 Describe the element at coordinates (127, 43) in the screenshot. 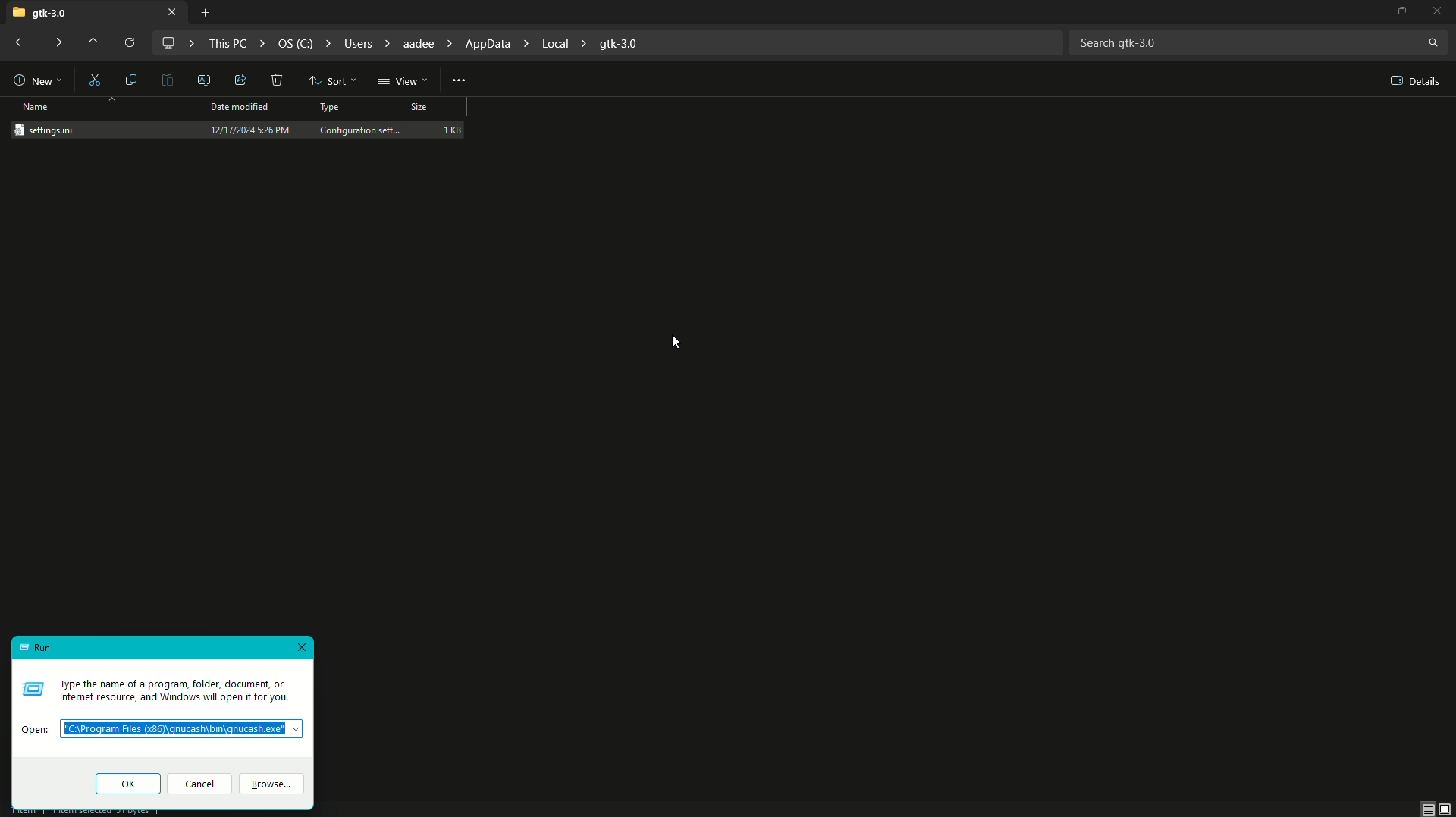

I see `Reload` at that location.